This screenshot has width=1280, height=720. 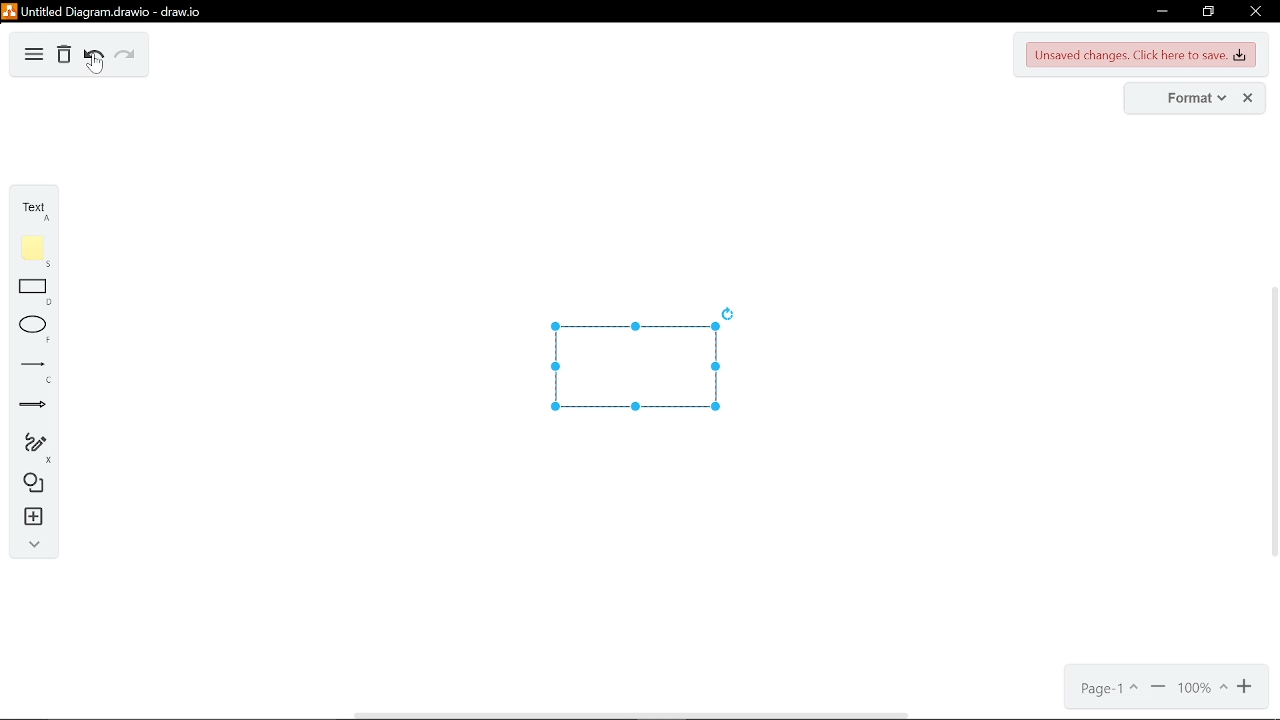 What do you see at coordinates (634, 368) in the screenshot?
I see `current diagram` at bounding box center [634, 368].